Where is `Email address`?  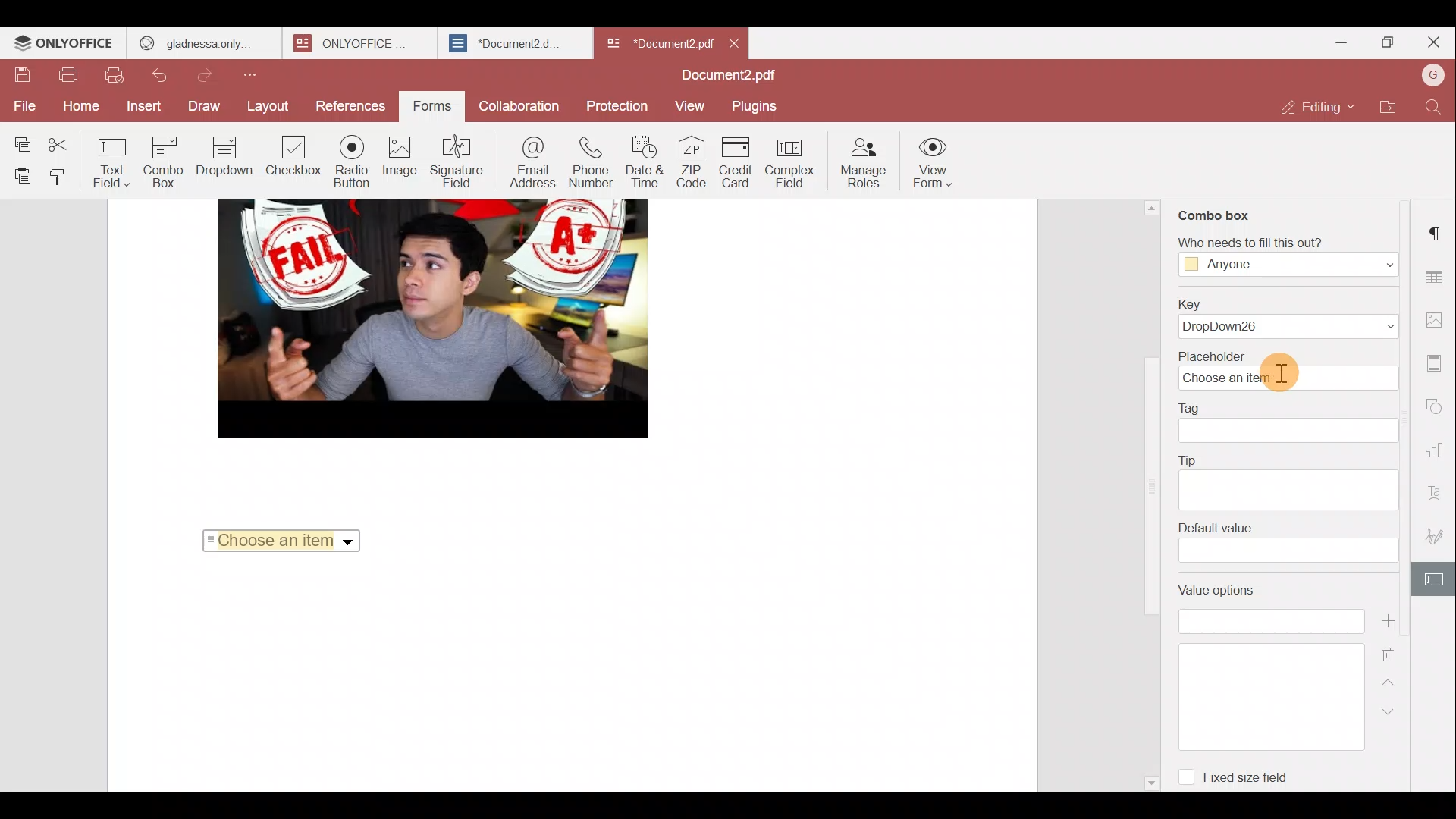 Email address is located at coordinates (531, 162).